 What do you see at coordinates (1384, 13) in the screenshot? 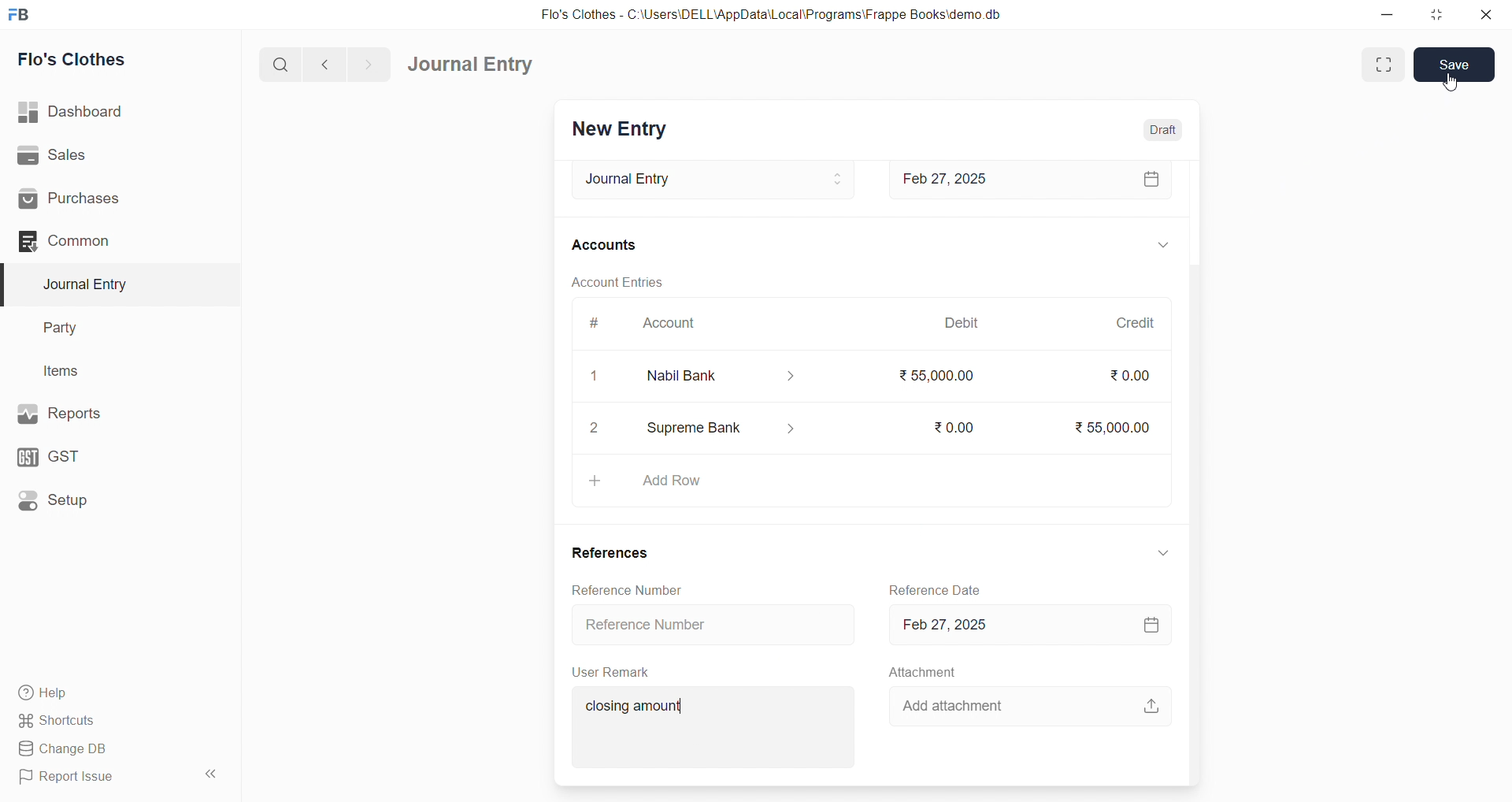
I see `minimize` at bounding box center [1384, 13].